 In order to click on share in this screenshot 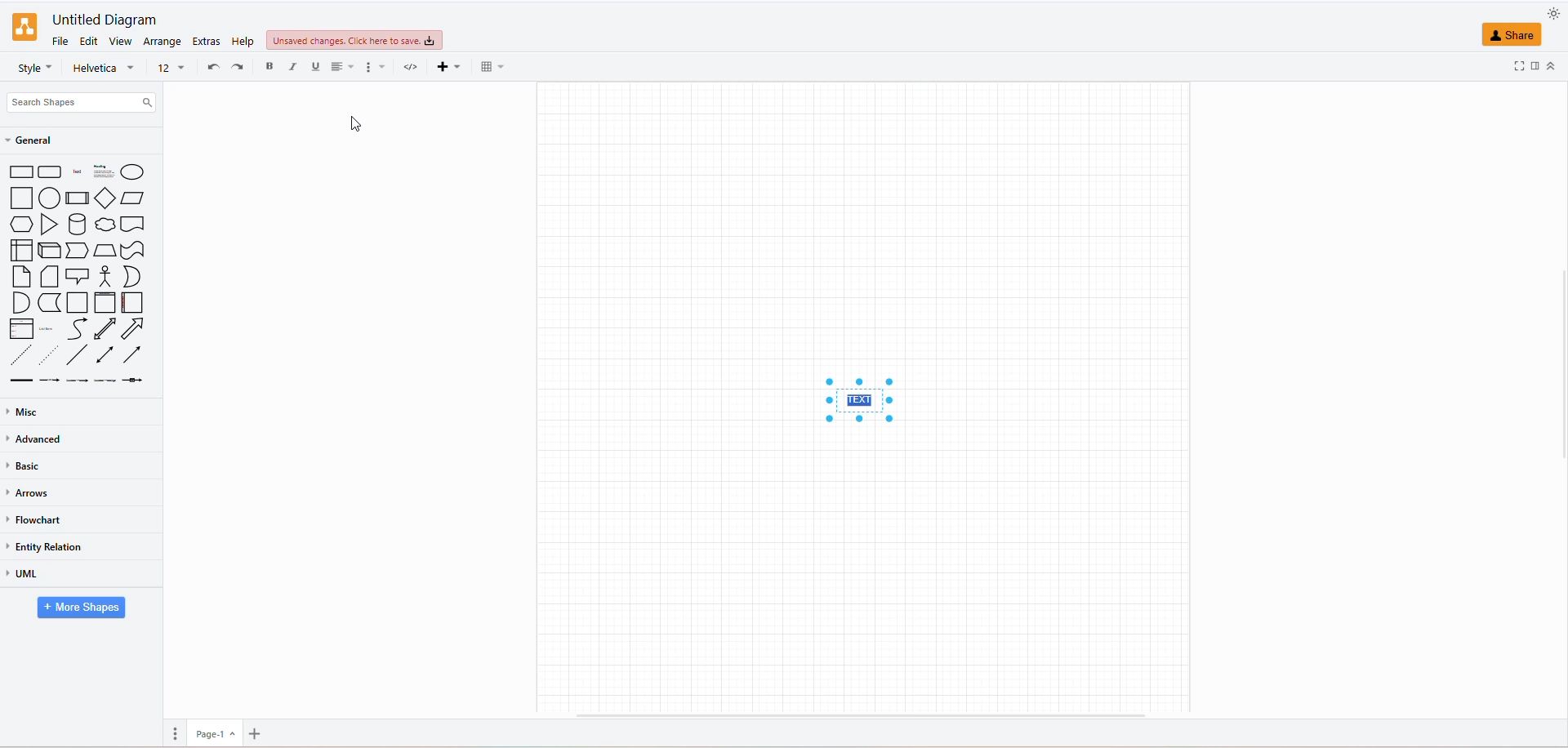, I will do `click(1512, 34)`.